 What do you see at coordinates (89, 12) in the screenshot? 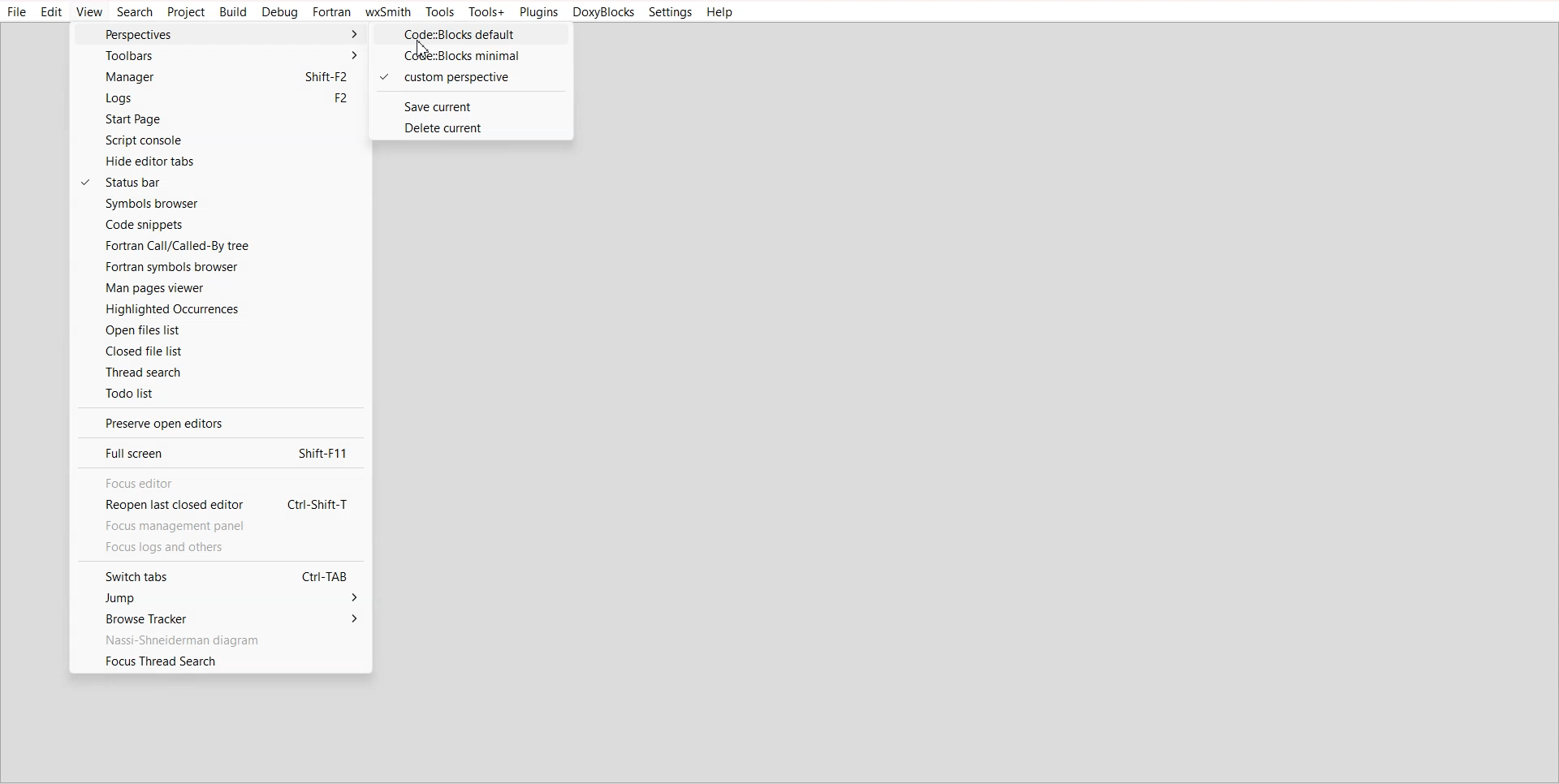
I see `View` at bounding box center [89, 12].